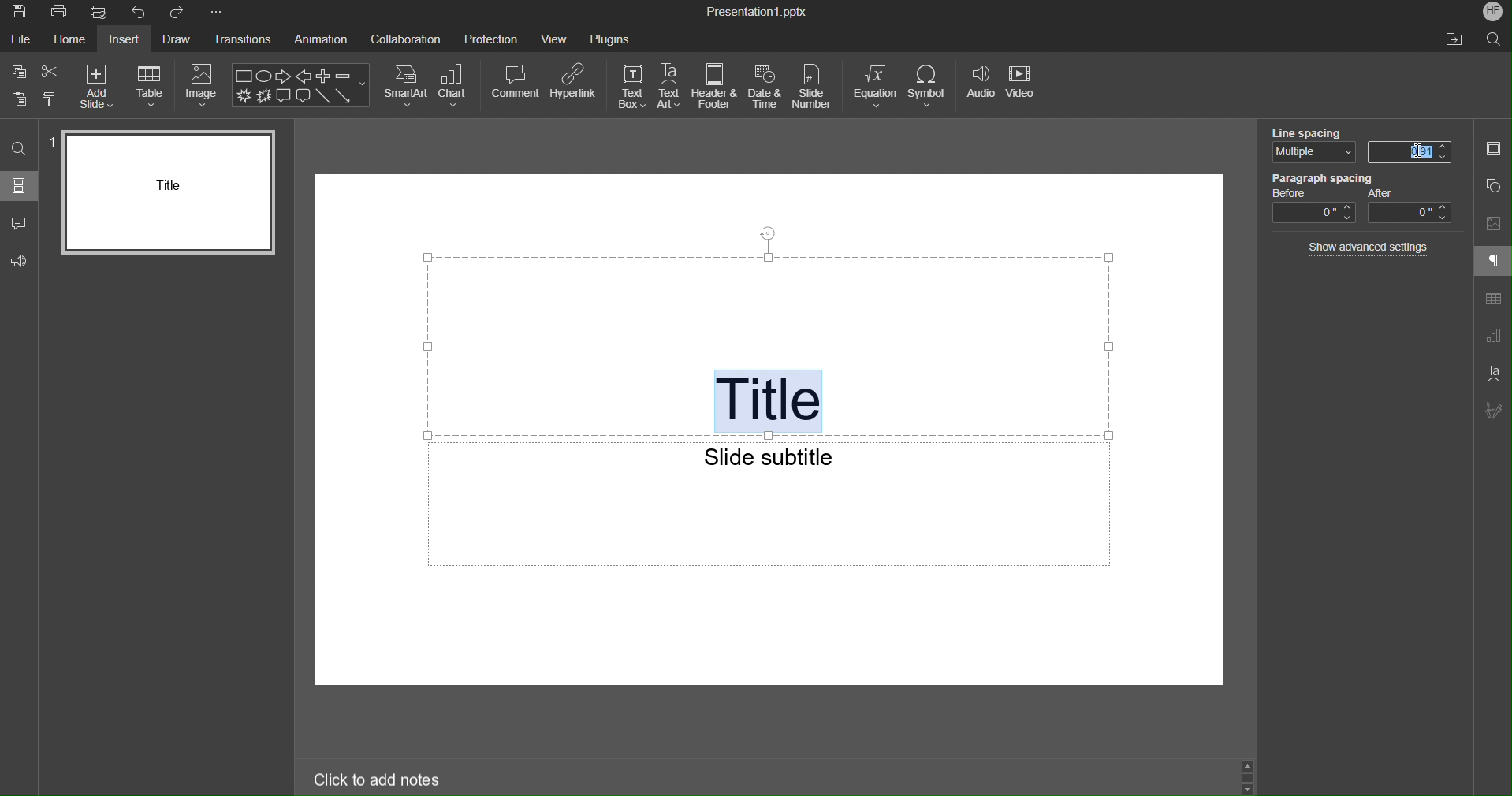 Image resolution: width=1512 pixels, height=796 pixels. What do you see at coordinates (773, 395) in the screenshot?
I see `Title` at bounding box center [773, 395].